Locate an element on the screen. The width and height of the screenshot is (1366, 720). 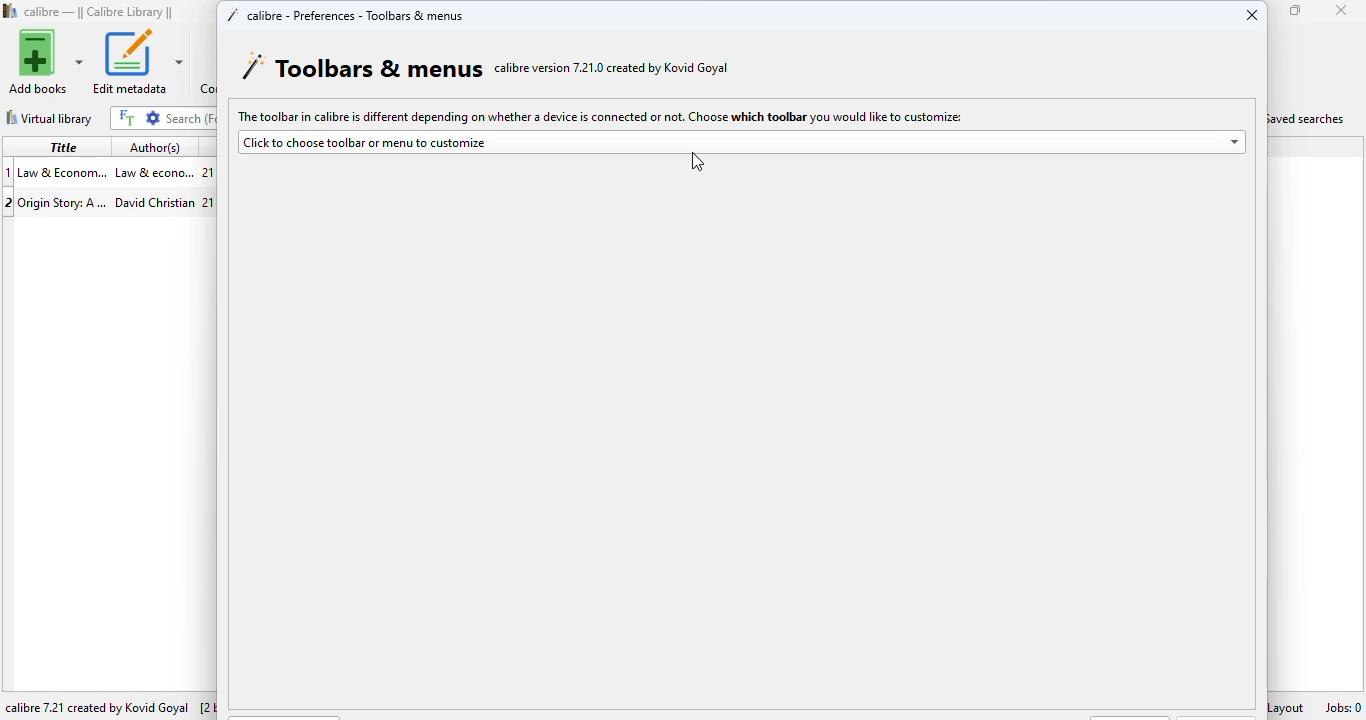
calibre version 7.21.0 created by Kovid Goyal is located at coordinates (612, 67).